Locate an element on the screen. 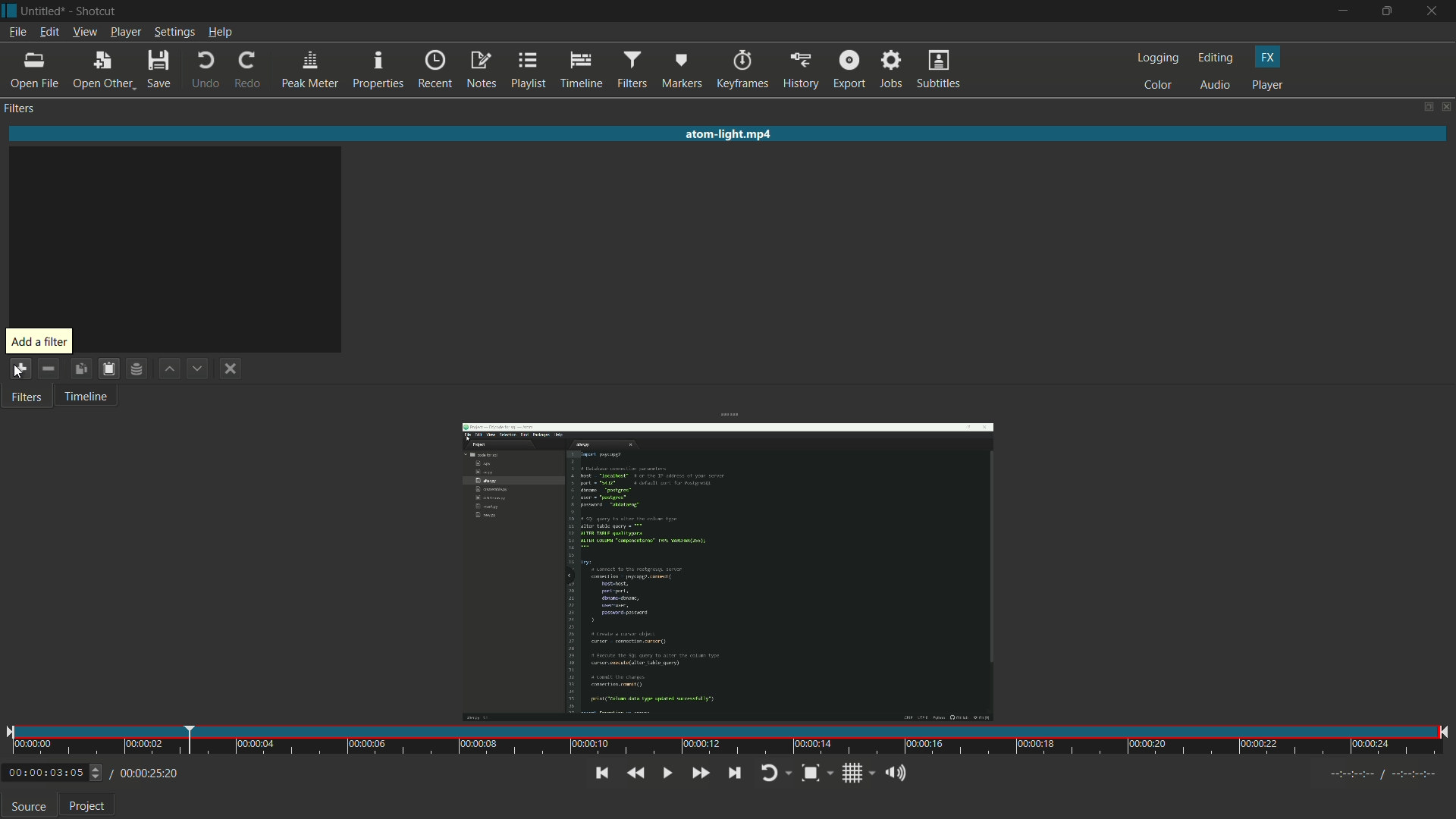  filters is located at coordinates (19, 108).